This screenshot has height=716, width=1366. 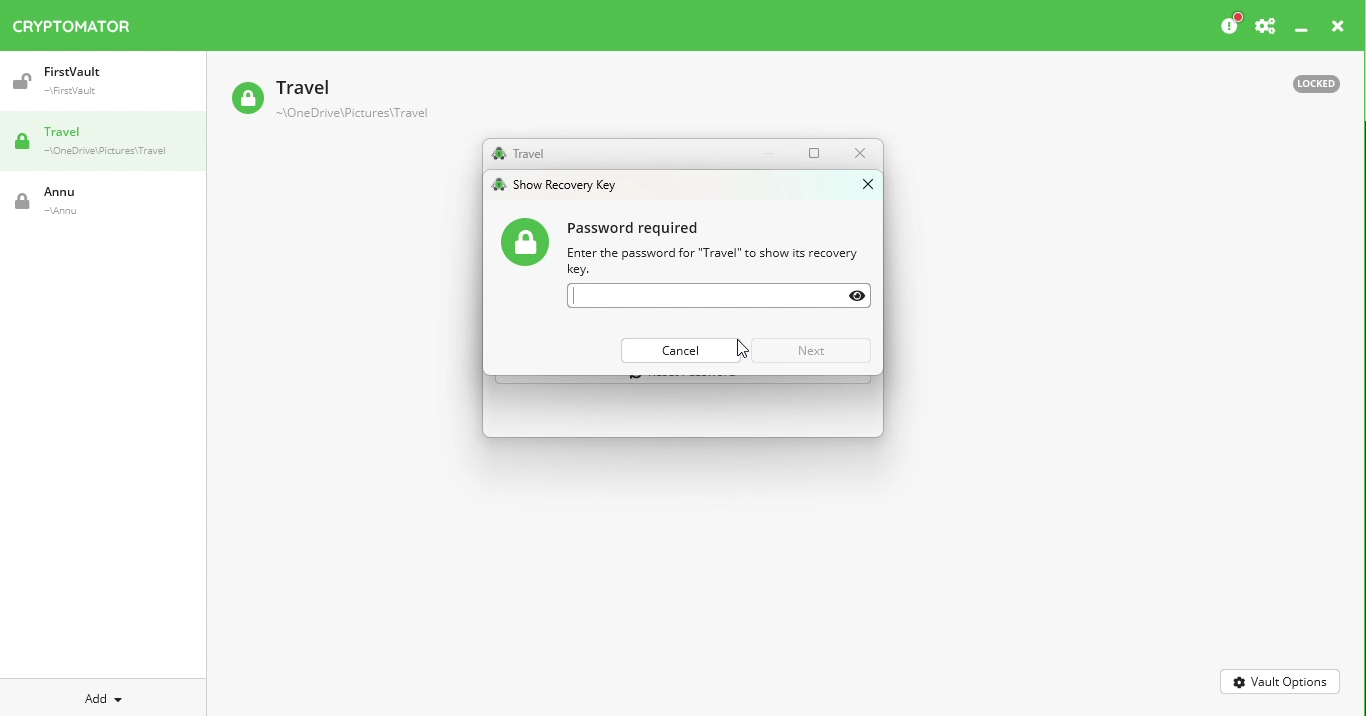 I want to click on Close, so click(x=859, y=153).